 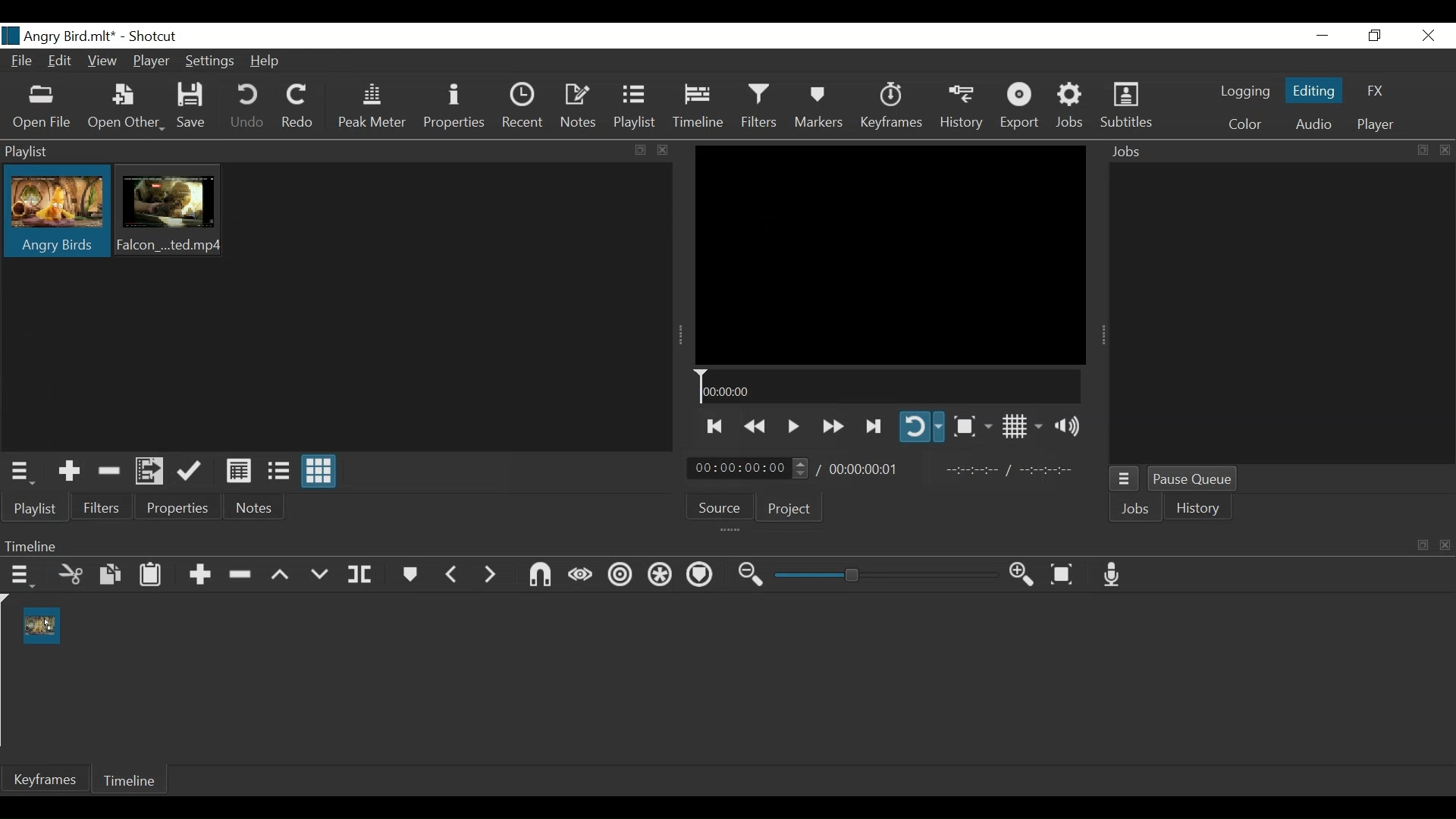 I want to click on Audio, so click(x=1313, y=124).